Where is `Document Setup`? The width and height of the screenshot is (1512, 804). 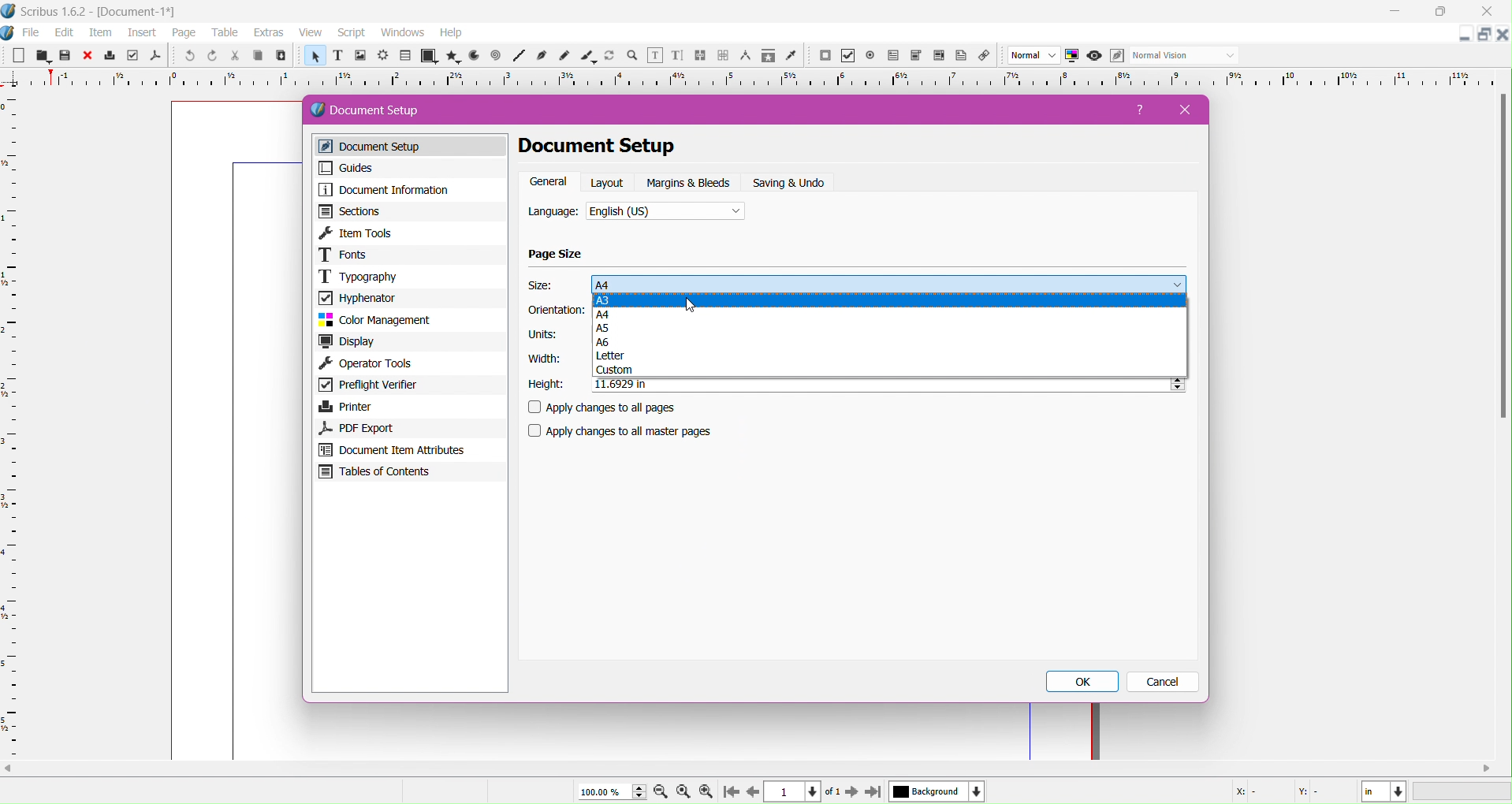
Document Setup is located at coordinates (617, 147).